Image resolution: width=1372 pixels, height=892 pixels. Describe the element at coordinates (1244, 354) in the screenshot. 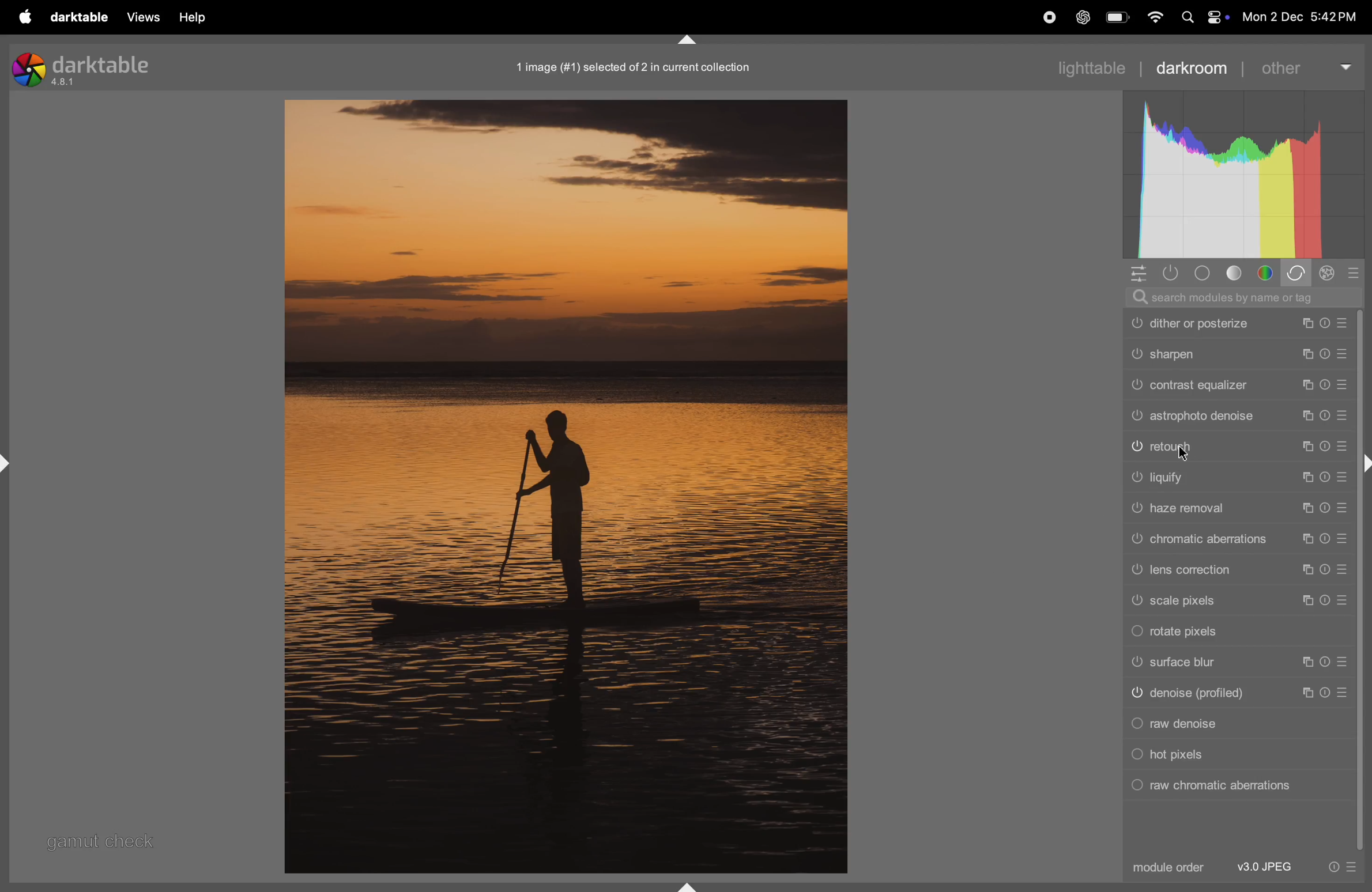

I see `sharpen` at that location.